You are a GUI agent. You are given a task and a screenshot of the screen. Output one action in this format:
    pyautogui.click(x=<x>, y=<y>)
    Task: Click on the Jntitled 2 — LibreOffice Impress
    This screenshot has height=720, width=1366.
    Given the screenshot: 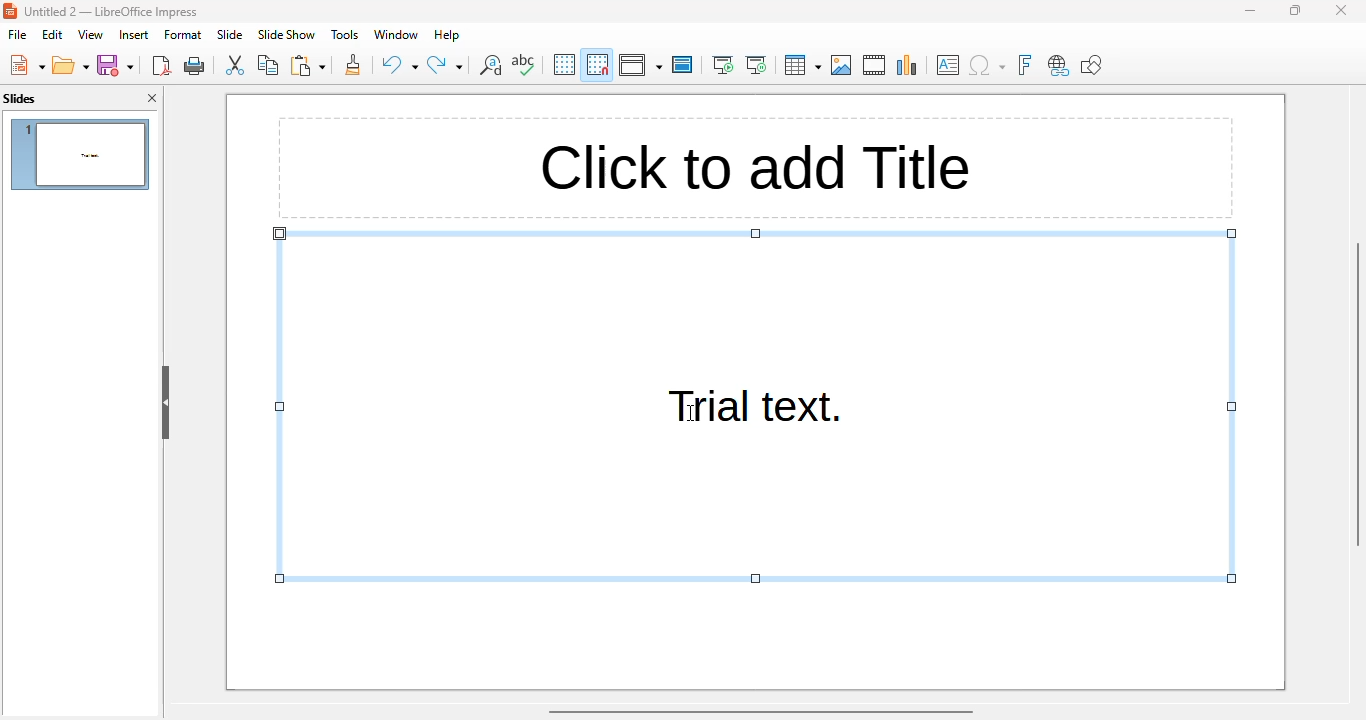 What is the action you would take?
    pyautogui.click(x=115, y=11)
    